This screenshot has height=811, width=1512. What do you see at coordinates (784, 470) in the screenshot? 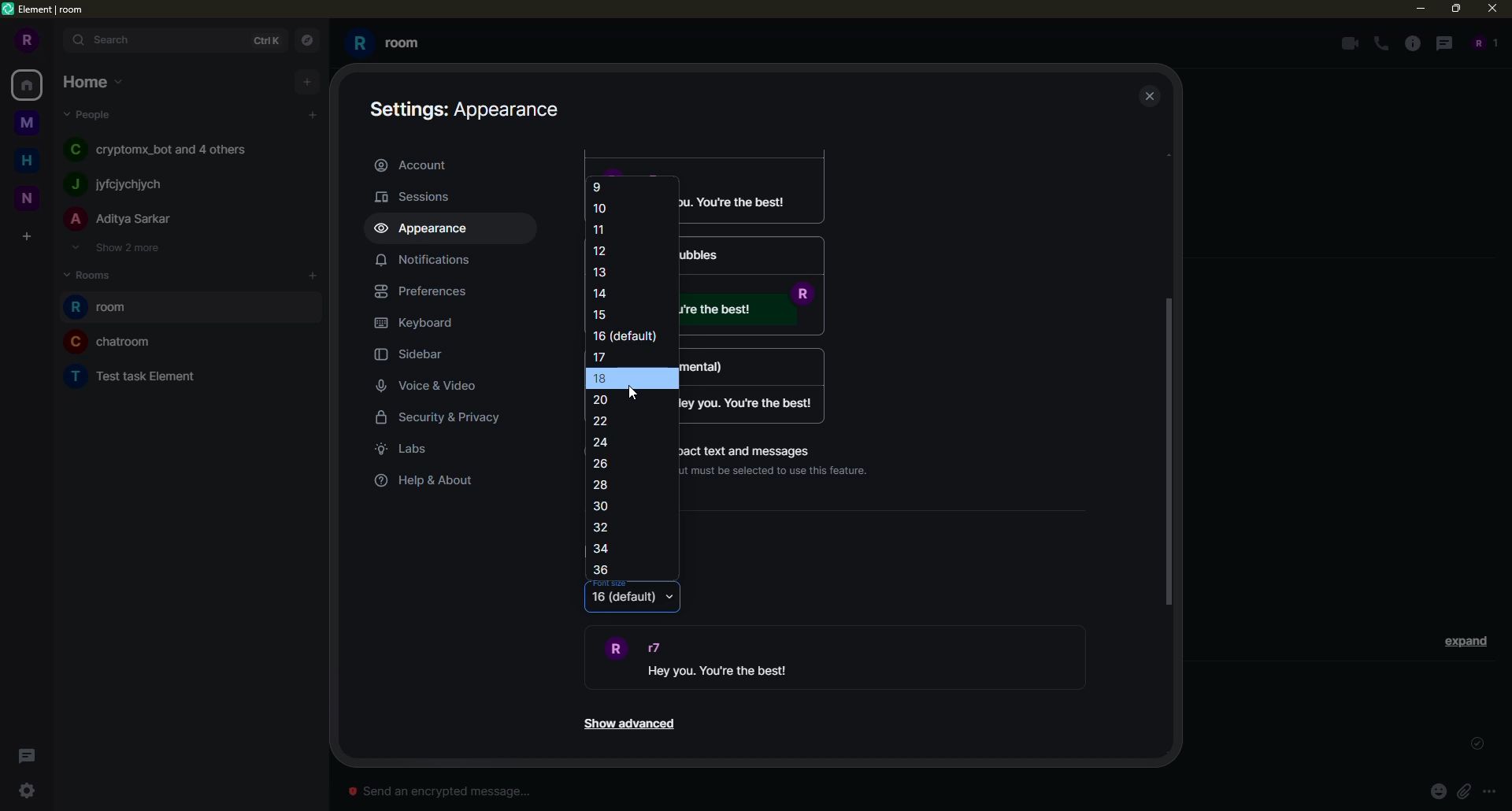
I see `Modern layout must be selected to use this feature.` at bounding box center [784, 470].